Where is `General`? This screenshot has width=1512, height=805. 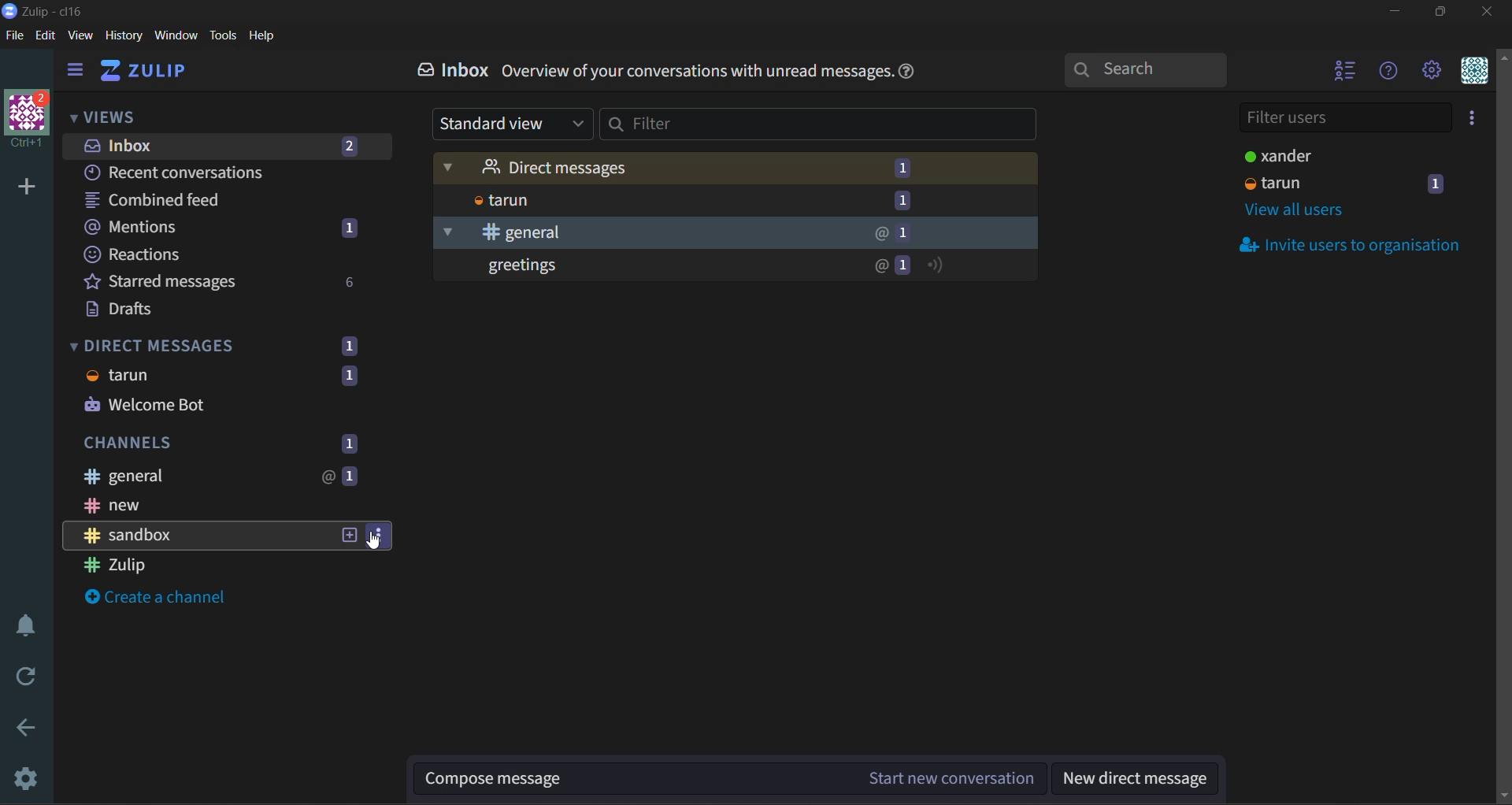
General is located at coordinates (732, 233).